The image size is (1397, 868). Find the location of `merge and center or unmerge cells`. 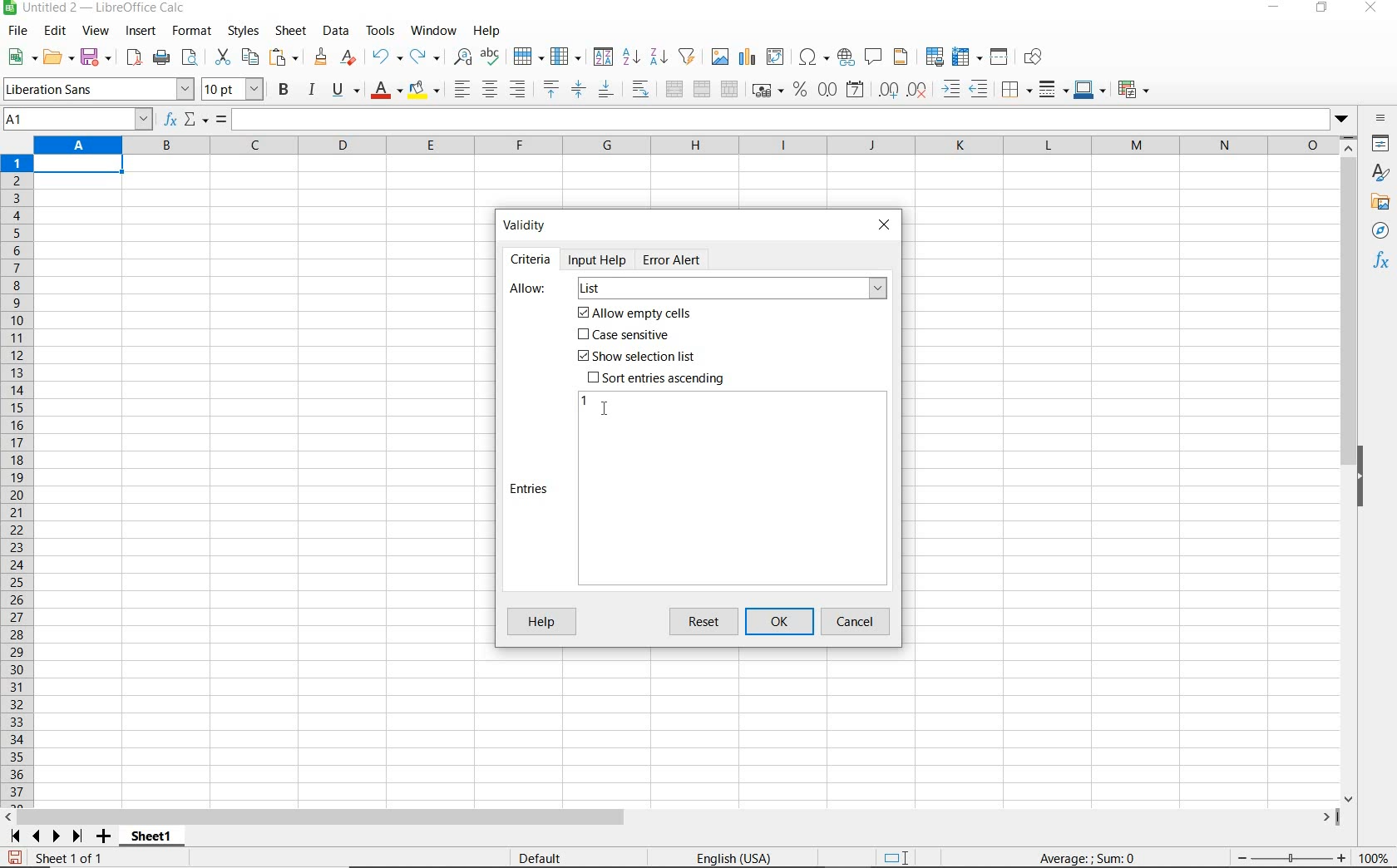

merge and center or unmerge cells is located at coordinates (674, 90).